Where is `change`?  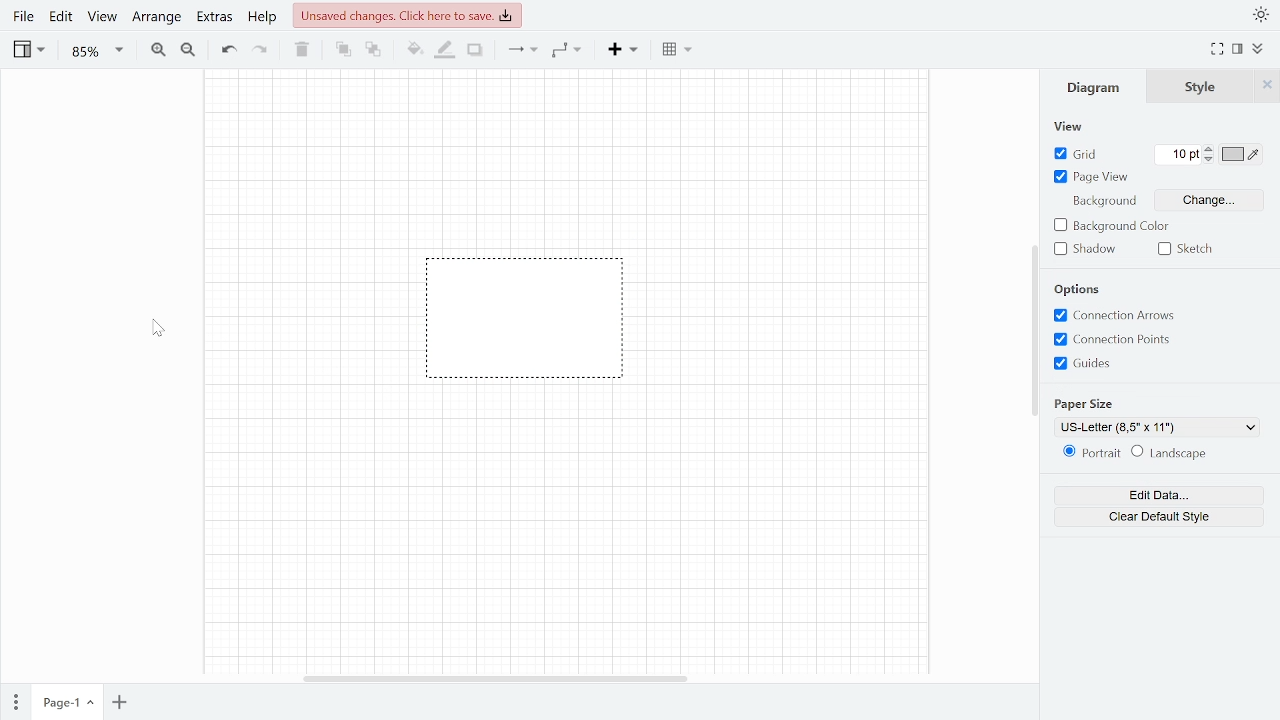 change is located at coordinates (1192, 200).